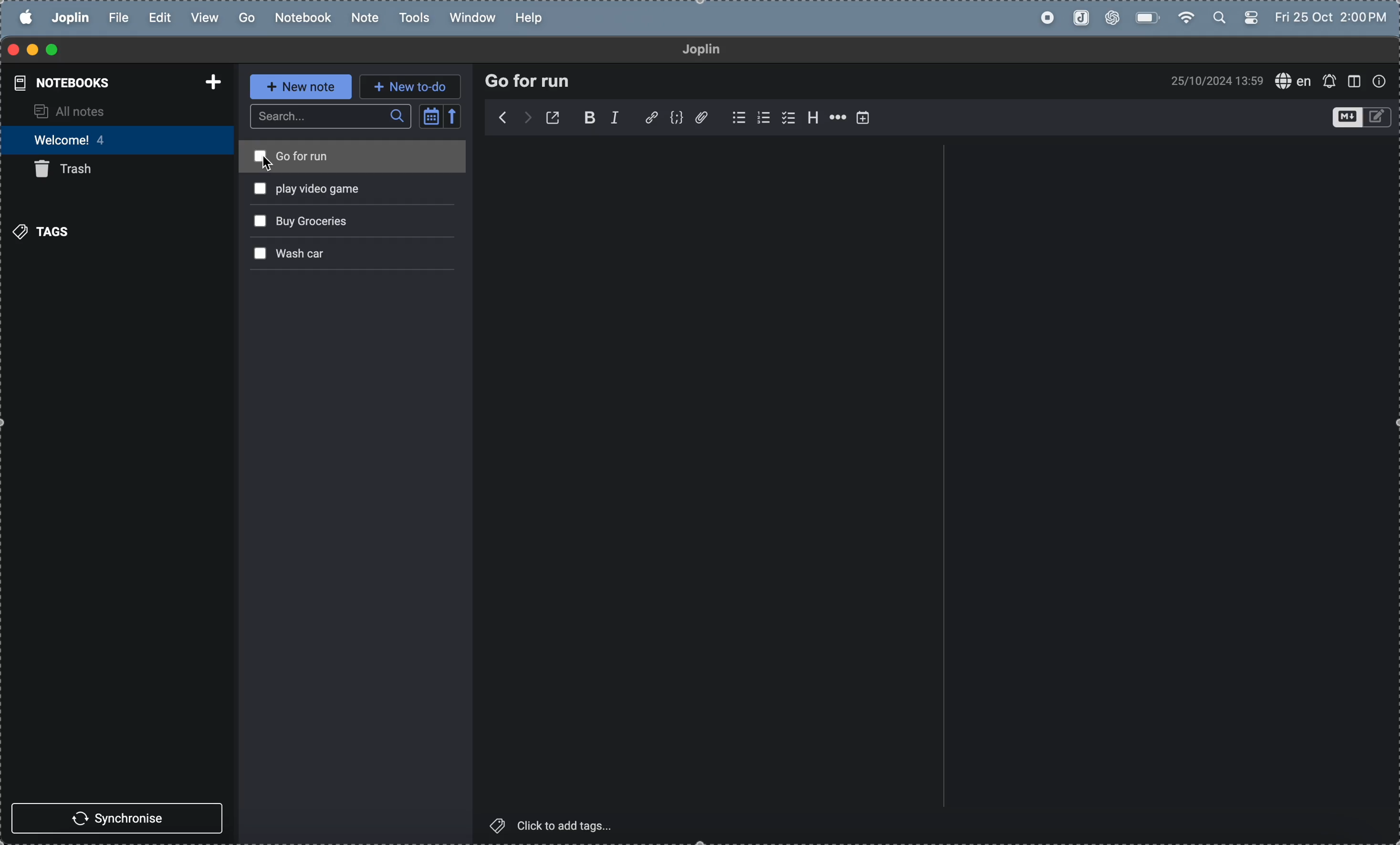 This screenshot has width=1400, height=845. I want to click on itallic, so click(622, 117).